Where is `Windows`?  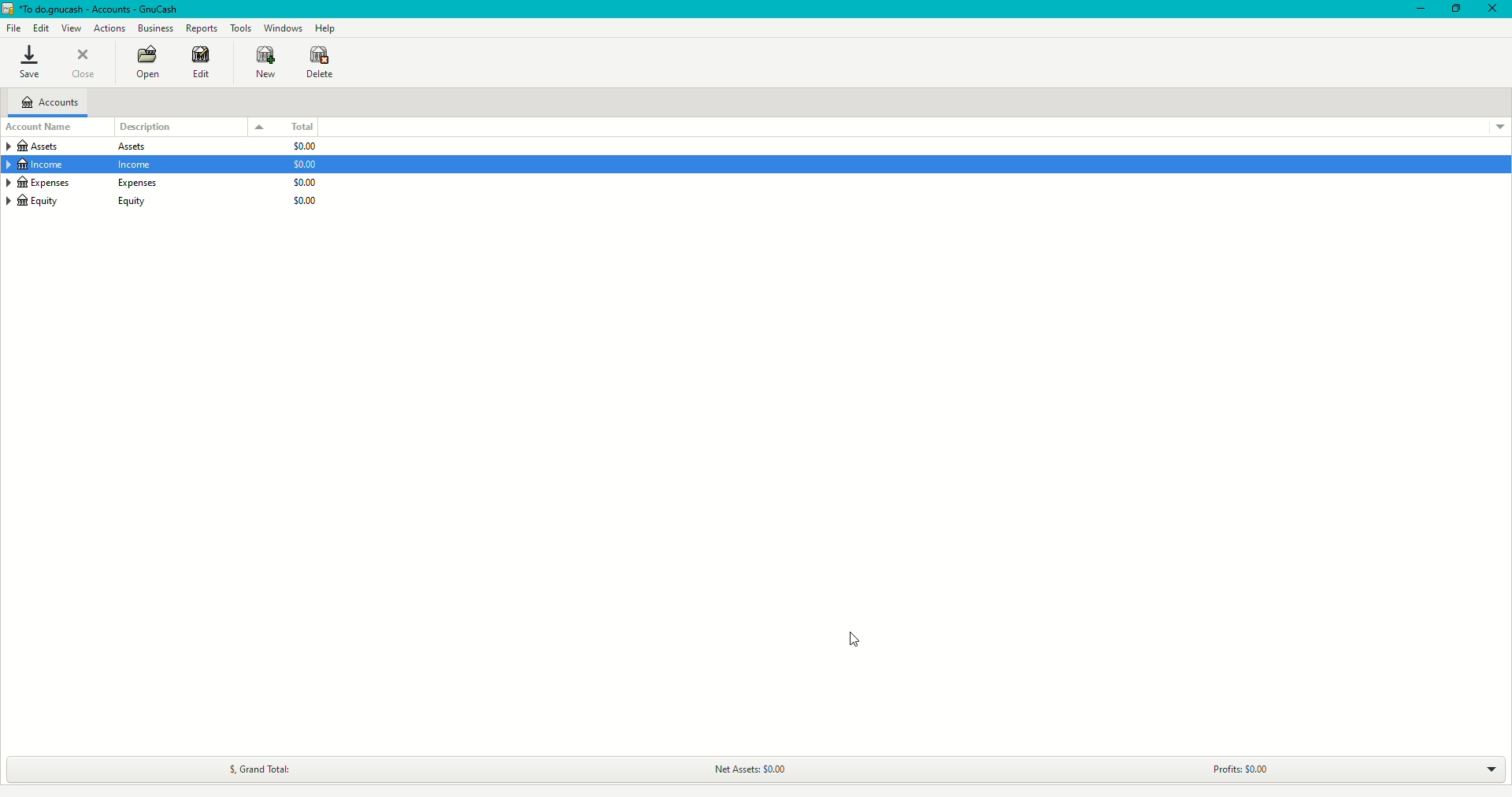
Windows is located at coordinates (285, 28).